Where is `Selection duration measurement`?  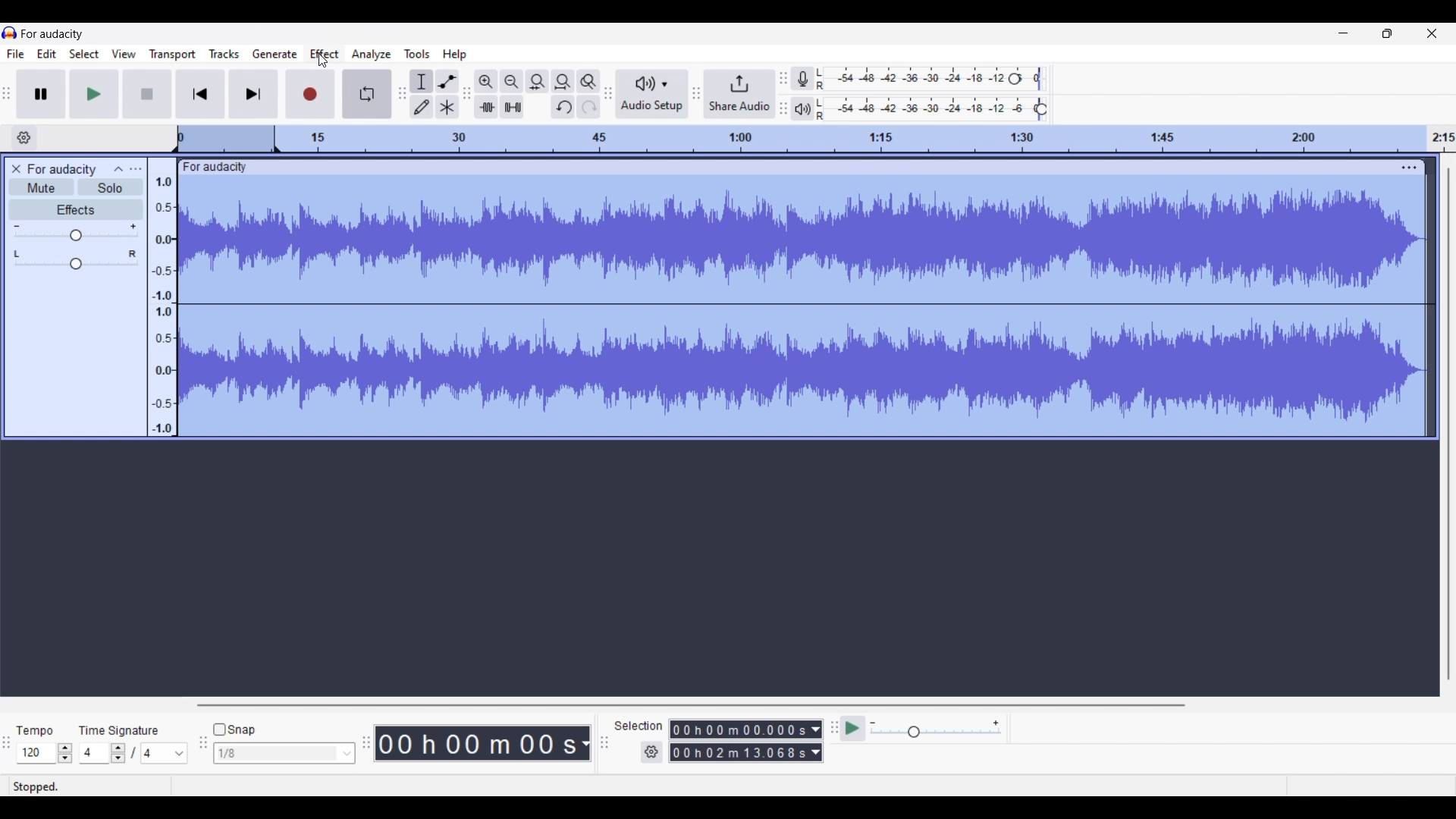 Selection duration measurement is located at coordinates (815, 741).